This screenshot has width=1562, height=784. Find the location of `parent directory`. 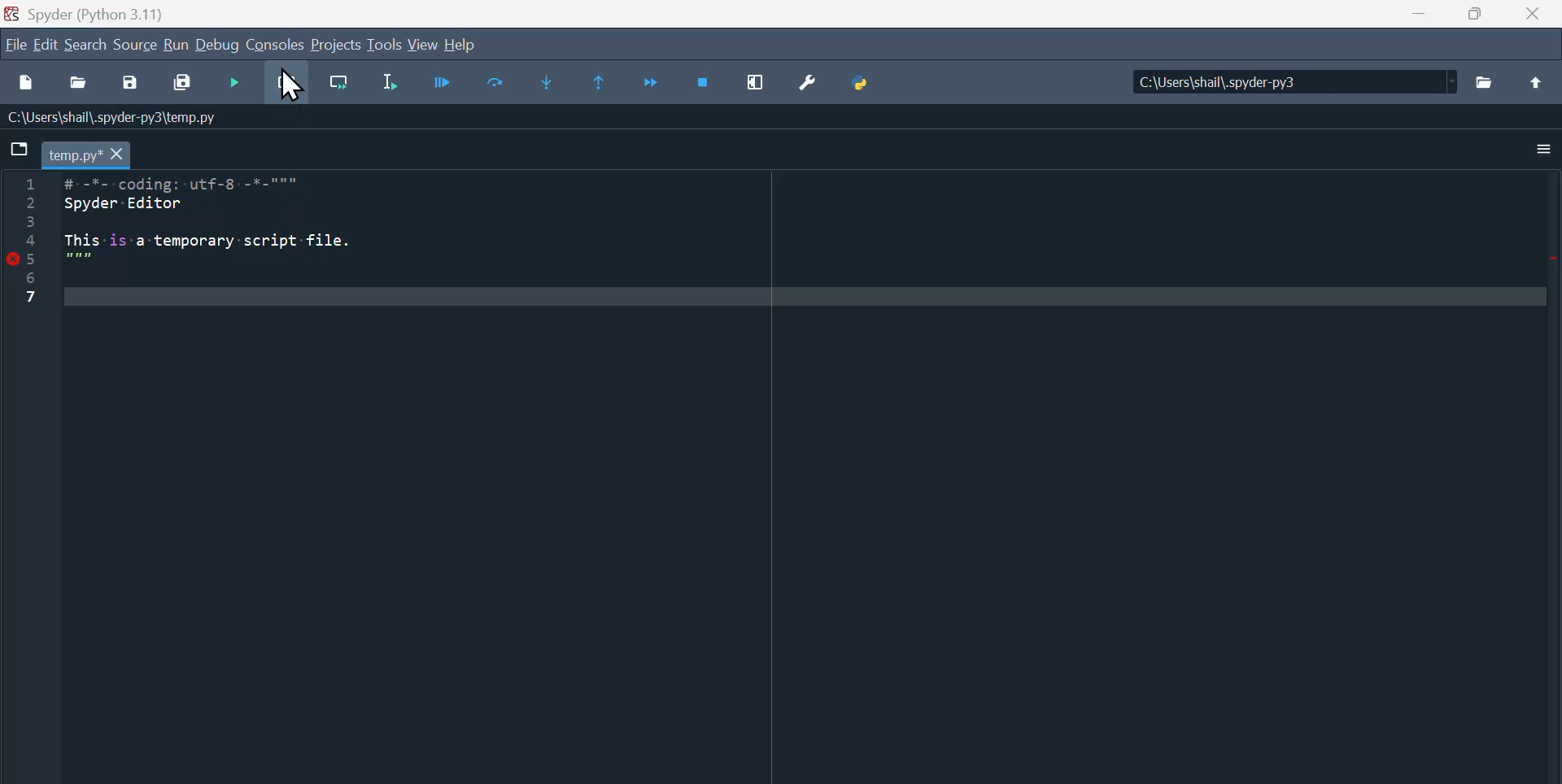

parent directory is located at coordinates (1537, 83).